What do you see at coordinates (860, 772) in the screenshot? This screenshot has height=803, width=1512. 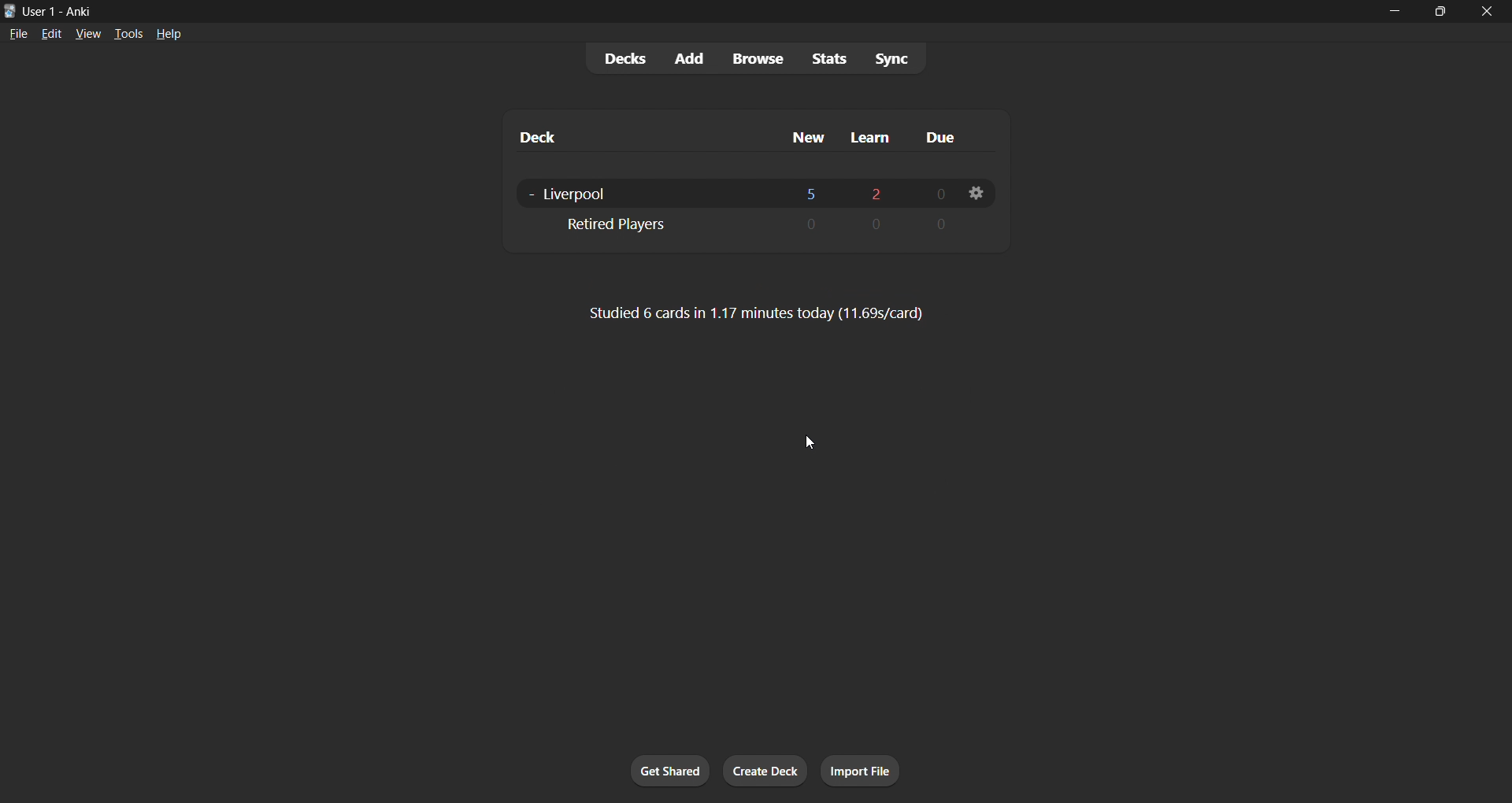 I see `import file` at bounding box center [860, 772].